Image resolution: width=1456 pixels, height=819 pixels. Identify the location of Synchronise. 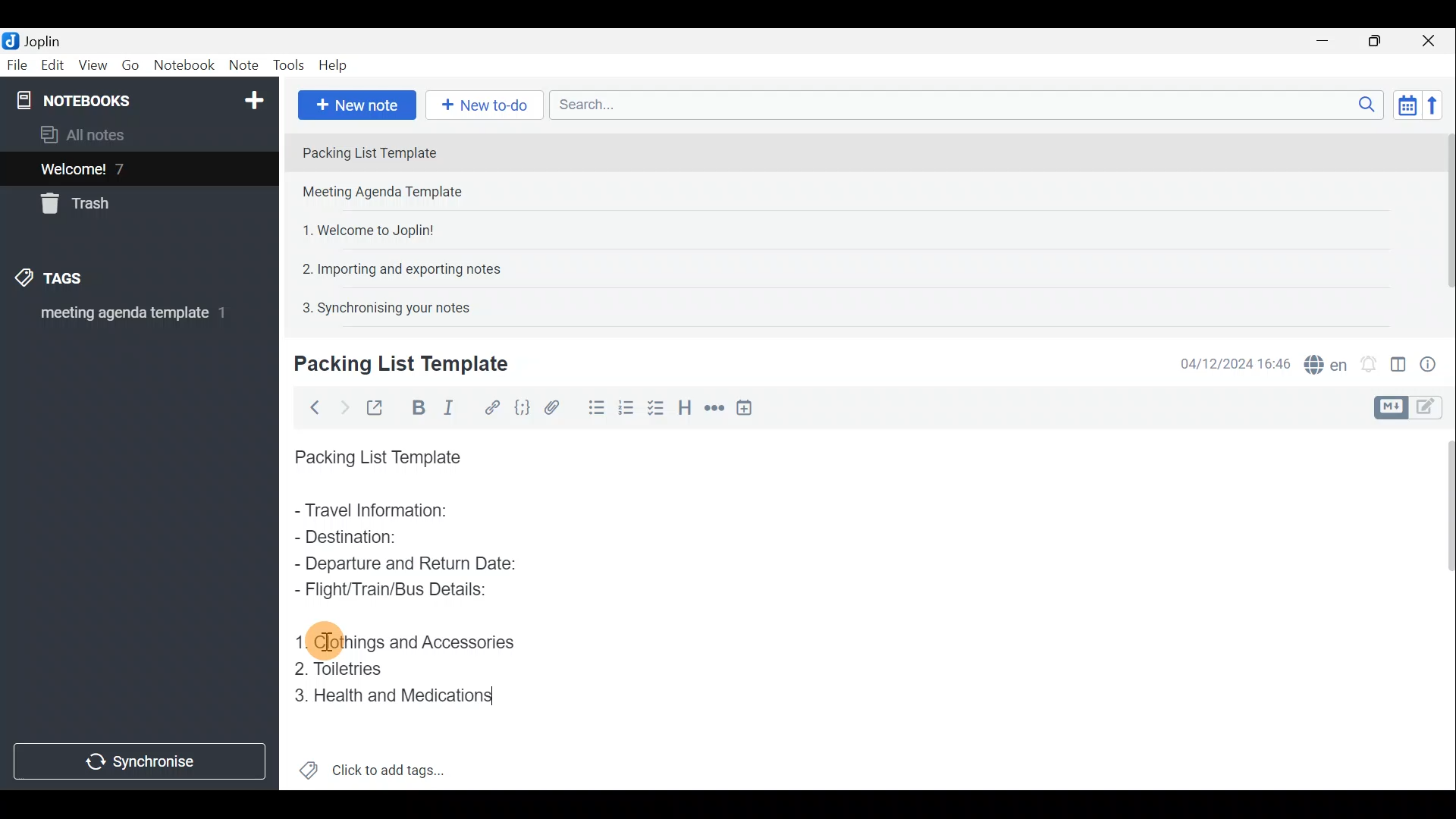
(142, 764).